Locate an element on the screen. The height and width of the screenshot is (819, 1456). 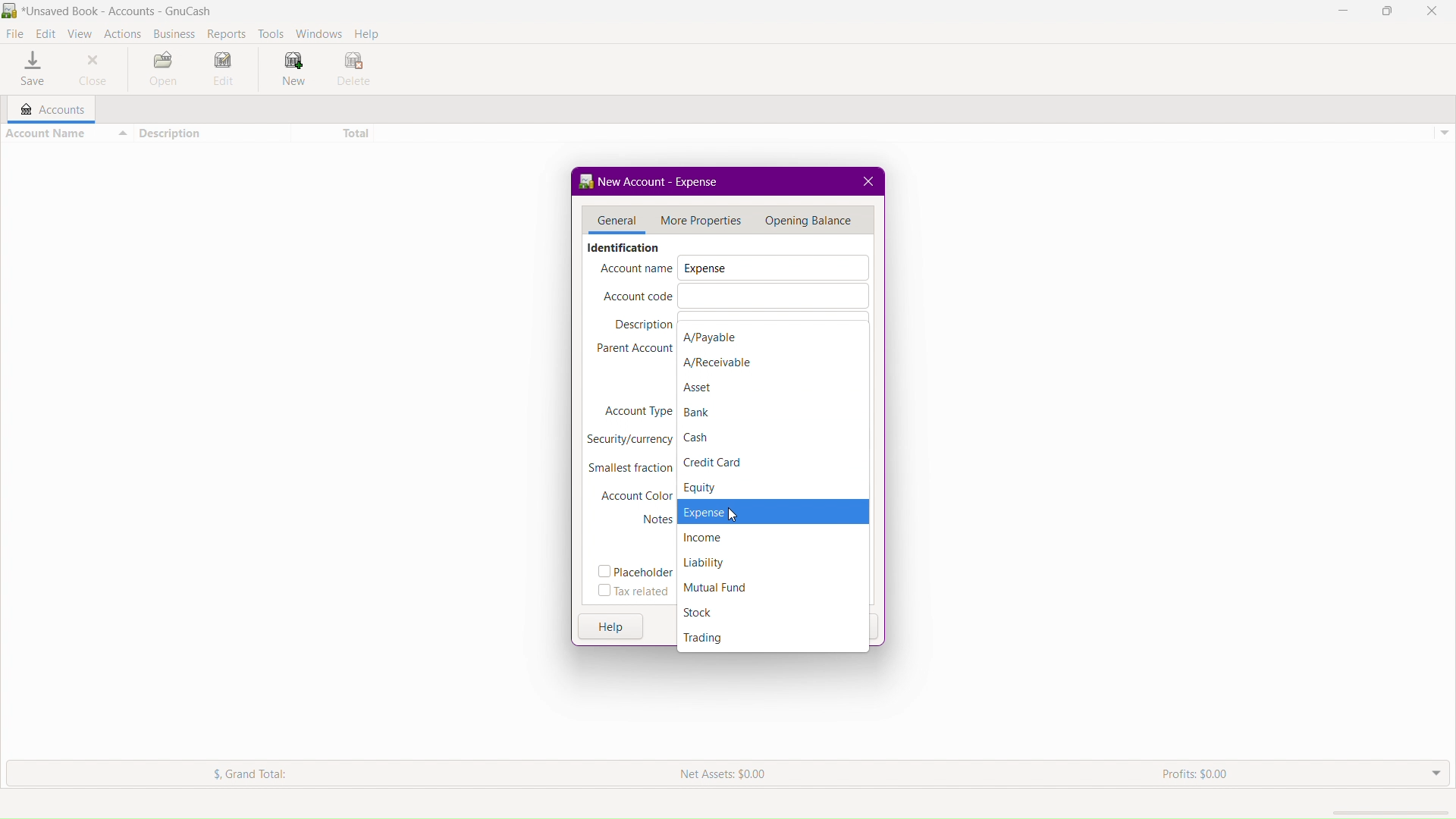
Description is located at coordinates (635, 326).